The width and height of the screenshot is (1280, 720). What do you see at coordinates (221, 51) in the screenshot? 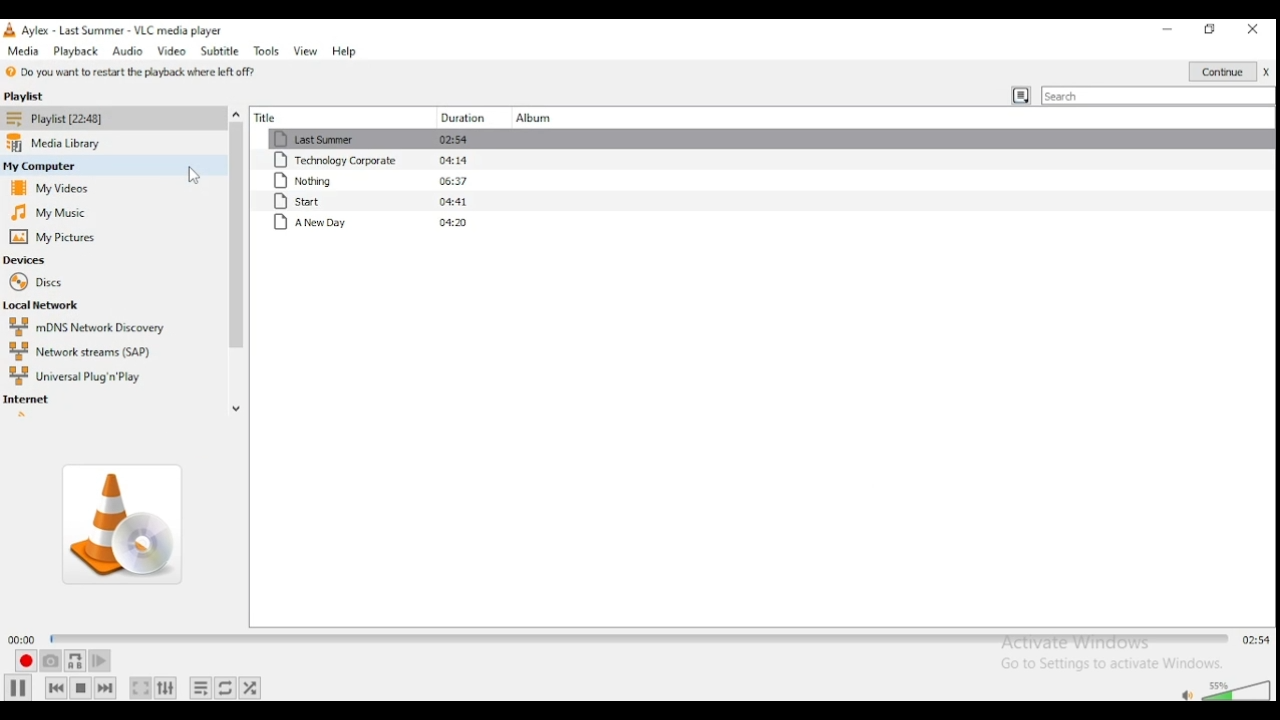
I see `subtitle` at bounding box center [221, 51].